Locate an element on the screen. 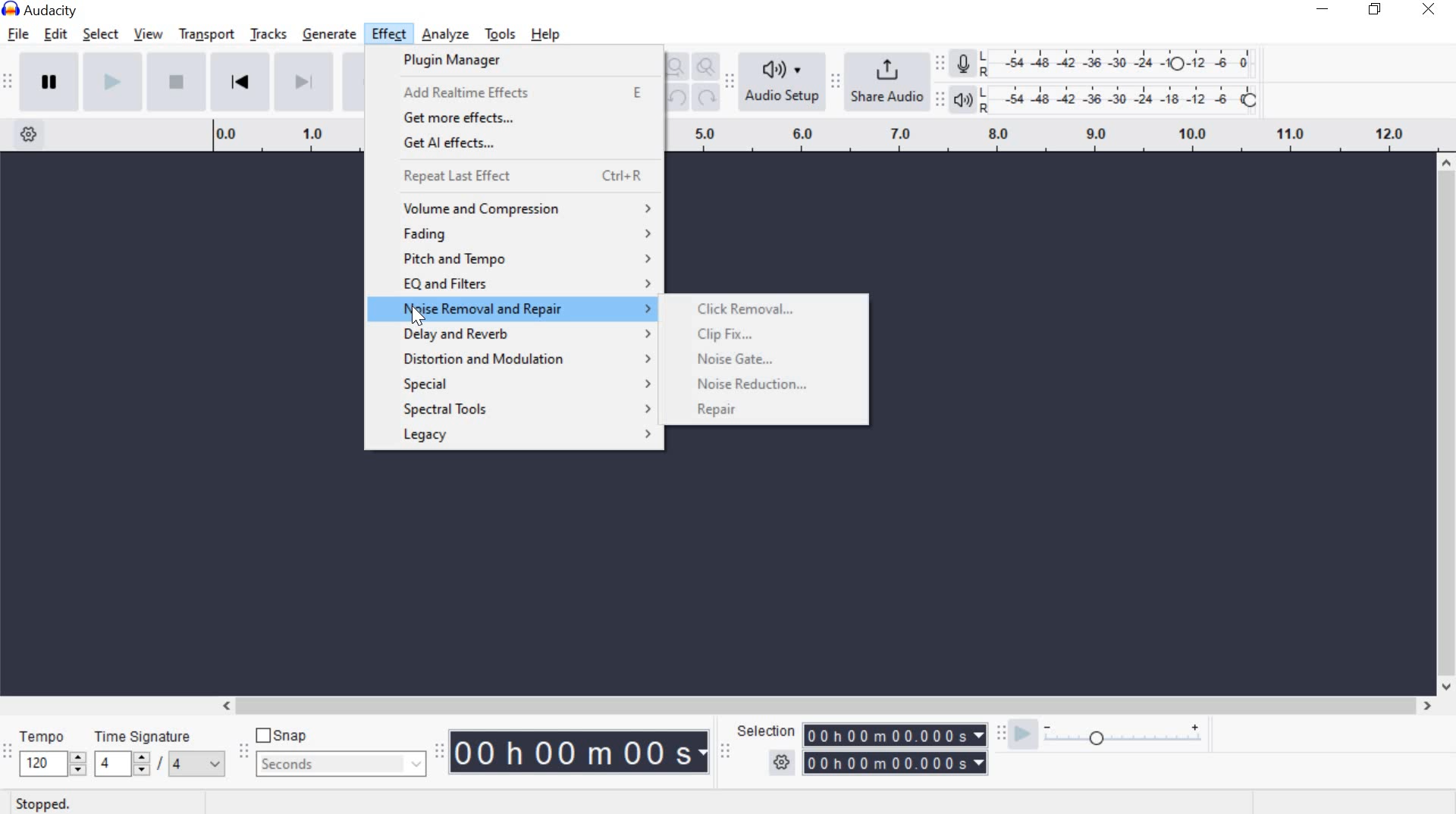  scrollbar is located at coordinates (827, 706).